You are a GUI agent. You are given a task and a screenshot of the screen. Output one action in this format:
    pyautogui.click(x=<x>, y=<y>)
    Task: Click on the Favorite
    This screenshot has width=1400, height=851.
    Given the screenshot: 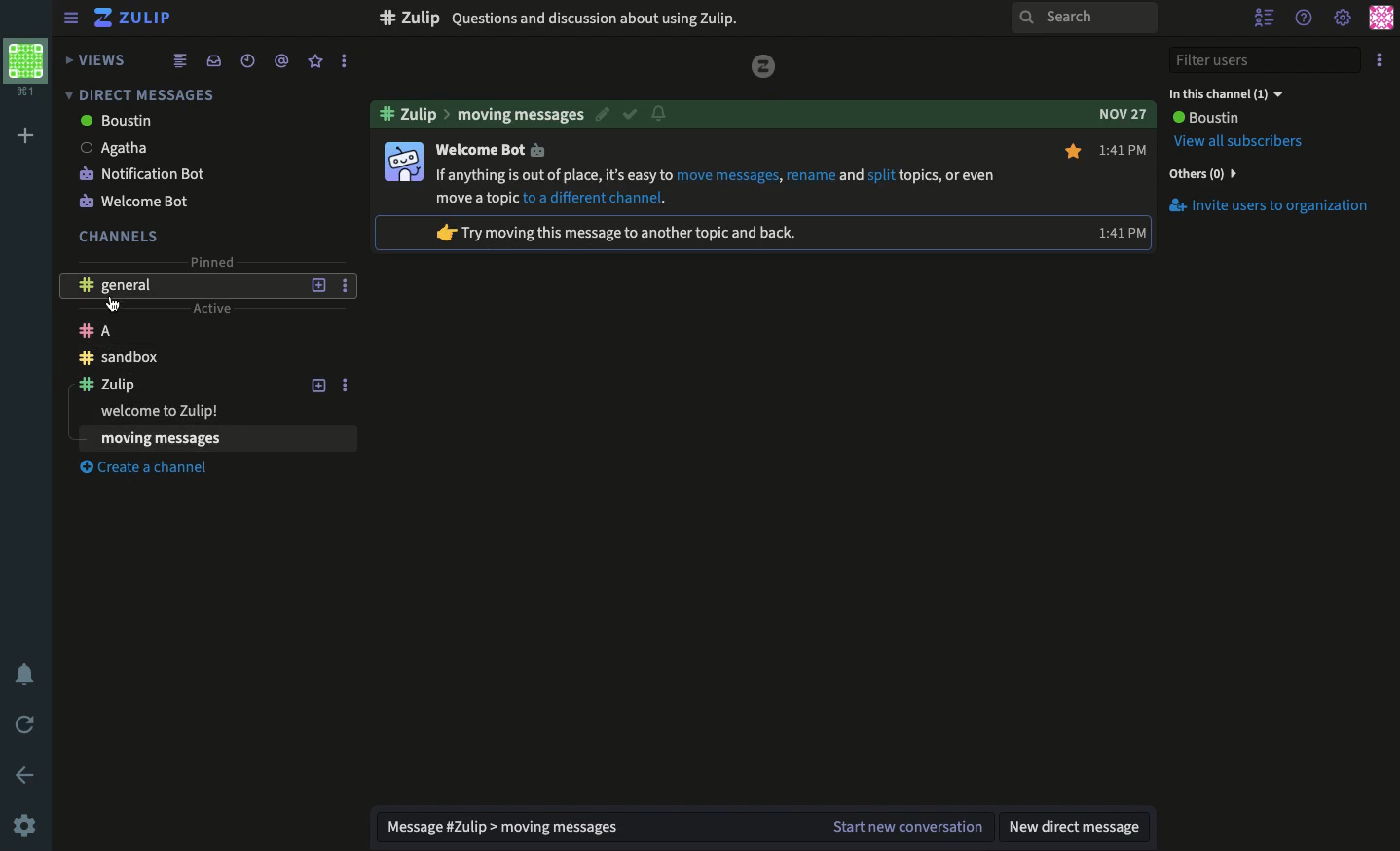 What is the action you would take?
    pyautogui.click(x=1075, y=152)
    